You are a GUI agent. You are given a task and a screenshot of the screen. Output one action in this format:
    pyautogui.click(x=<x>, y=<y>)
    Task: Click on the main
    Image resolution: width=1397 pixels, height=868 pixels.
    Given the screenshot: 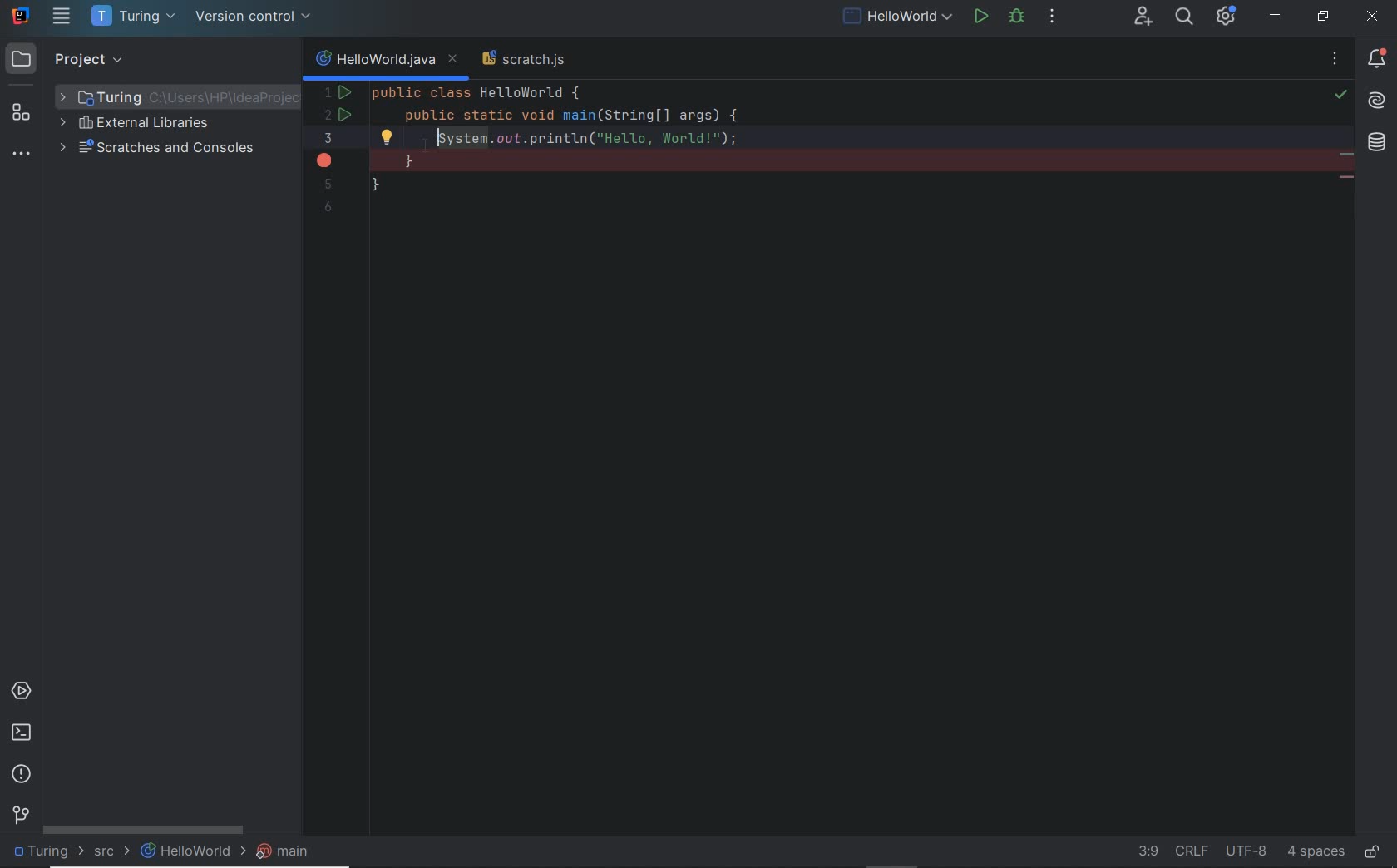 What is the action you would take?
    pyautogui.click(x=288, y=853)
    